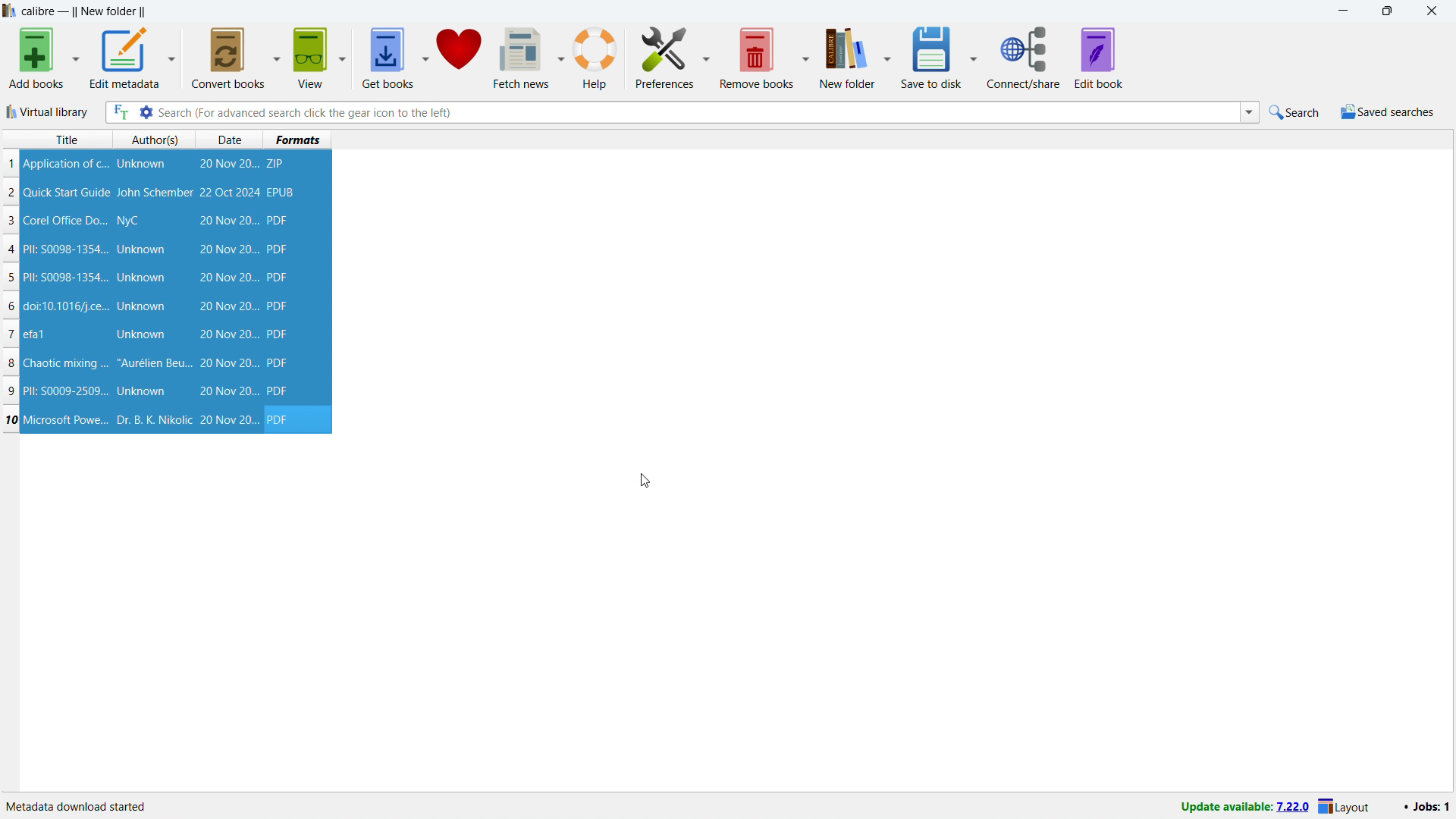 The width and height of the screenshot is (1456, 819). Describe the element at coordinates (36, 58) in the screenshot. I see `add books` at that location.